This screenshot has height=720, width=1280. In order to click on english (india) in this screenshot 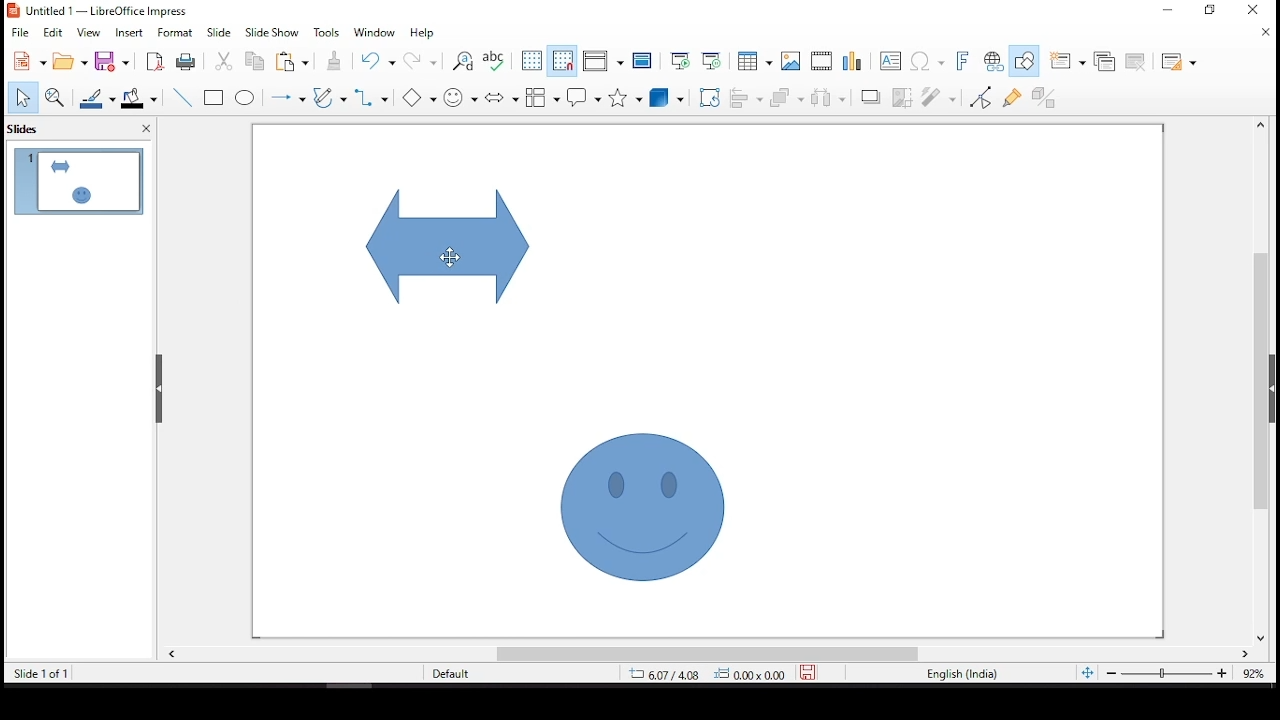, I will do `click(961, 672)`.